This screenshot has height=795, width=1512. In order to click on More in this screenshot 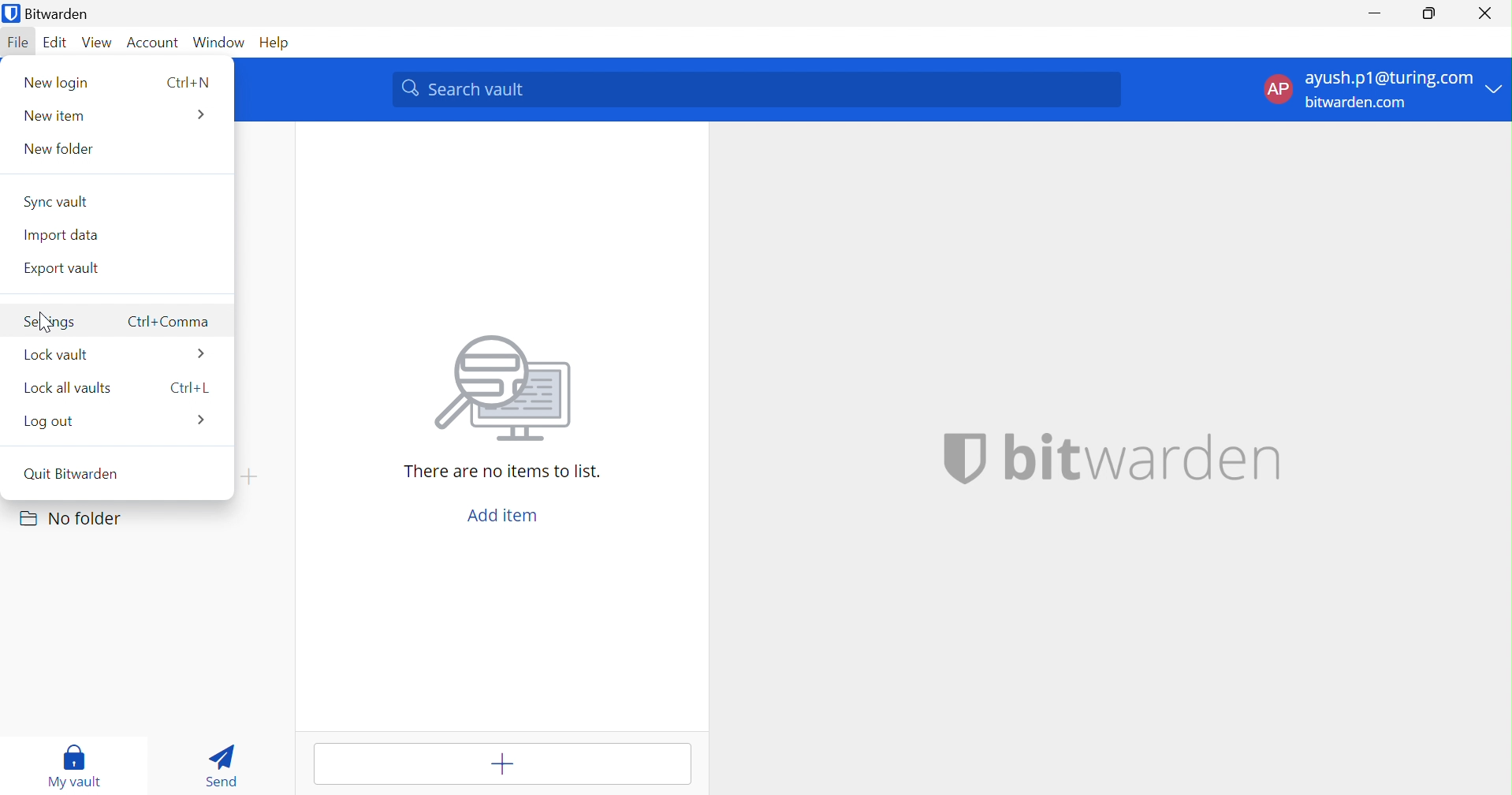, I will do `click(201, 417)`.